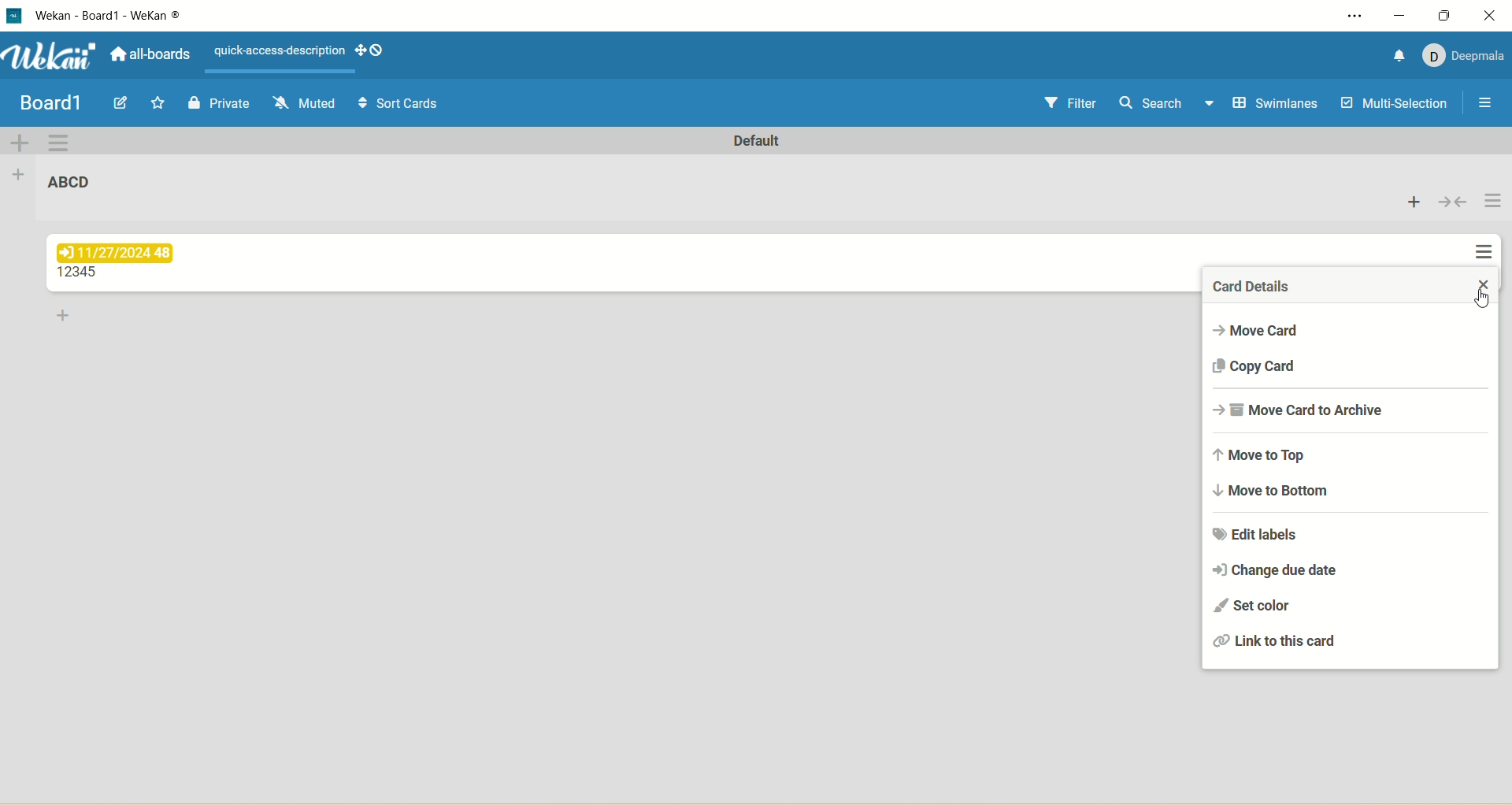 The image size is (1512, 805). Describe the element at coordinates (1281, 568) in the screenshot. I see `change due date` at that location.